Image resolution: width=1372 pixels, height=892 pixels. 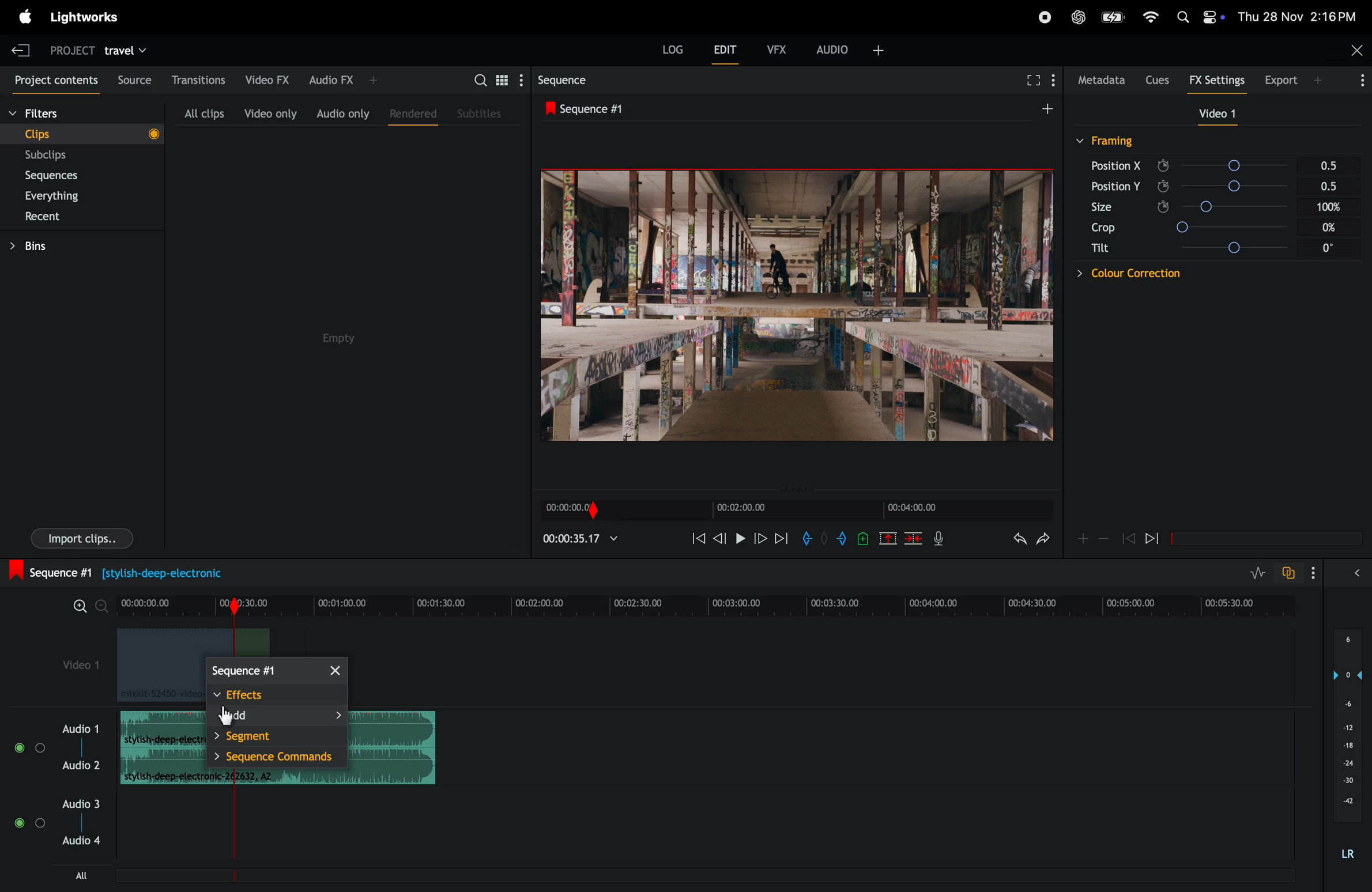 What do you see at coordinates (44, 218) in the screenshot?
I see `recent` at bounding box center [44, 218].